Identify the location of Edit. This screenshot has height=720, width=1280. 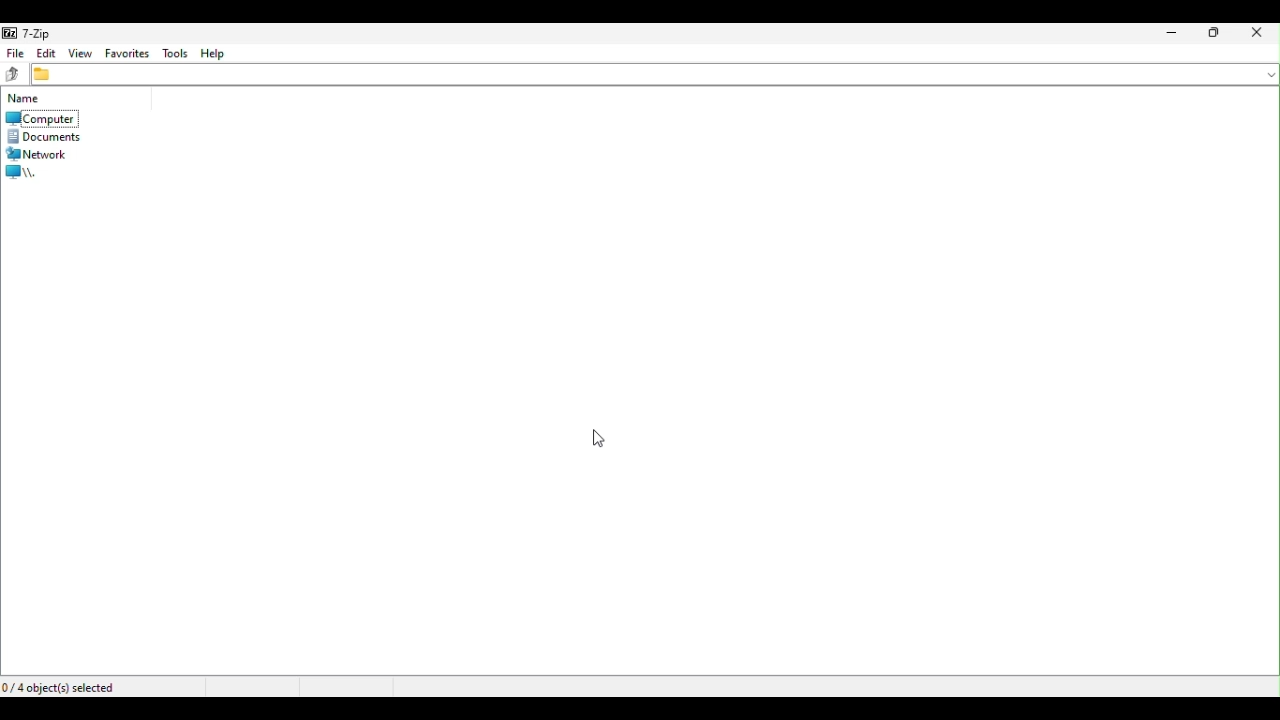
(47, 55).